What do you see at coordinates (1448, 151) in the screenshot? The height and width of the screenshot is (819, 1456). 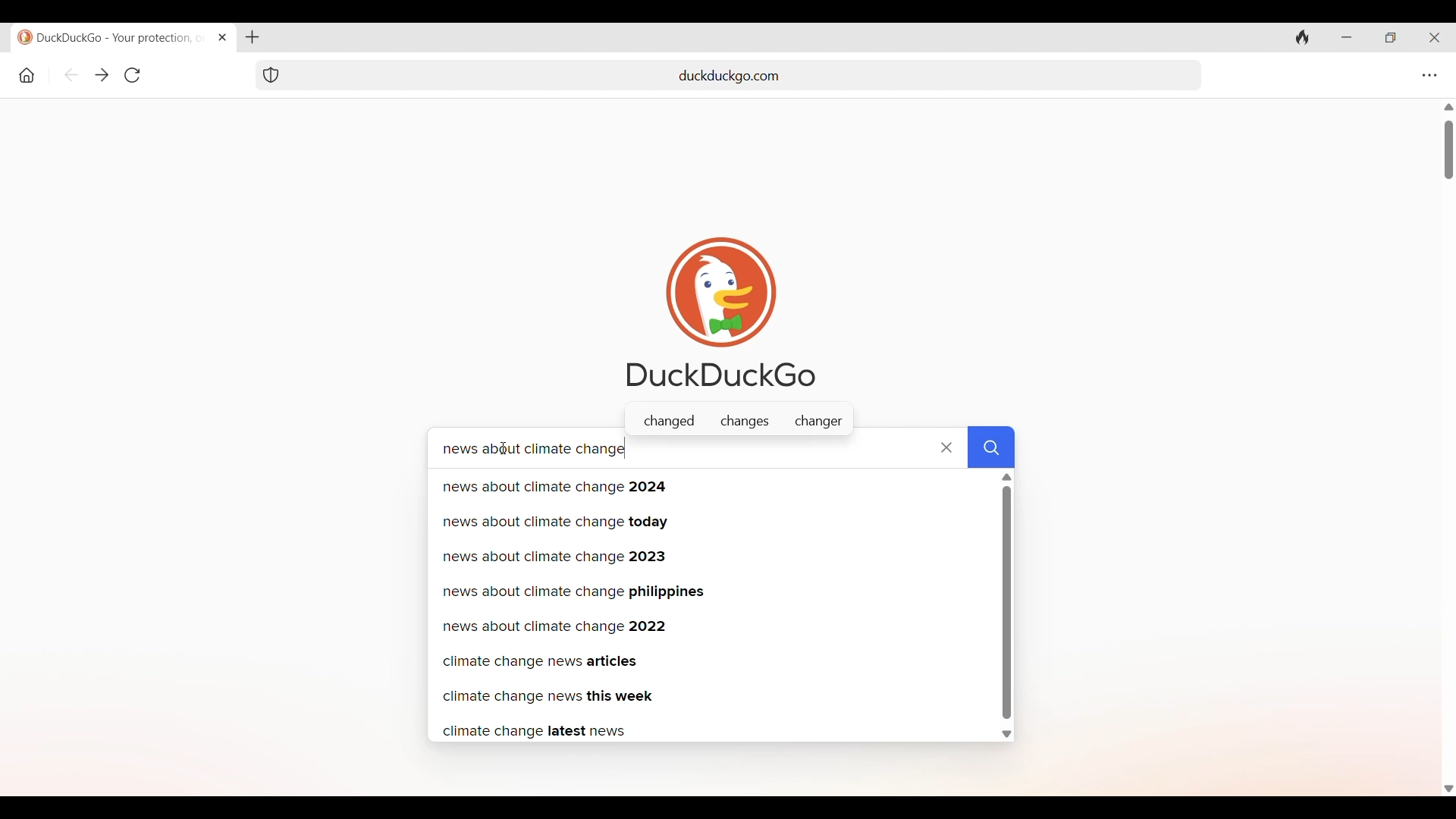 I see `Vertical slide bar` at bounding box center [1448, 151].